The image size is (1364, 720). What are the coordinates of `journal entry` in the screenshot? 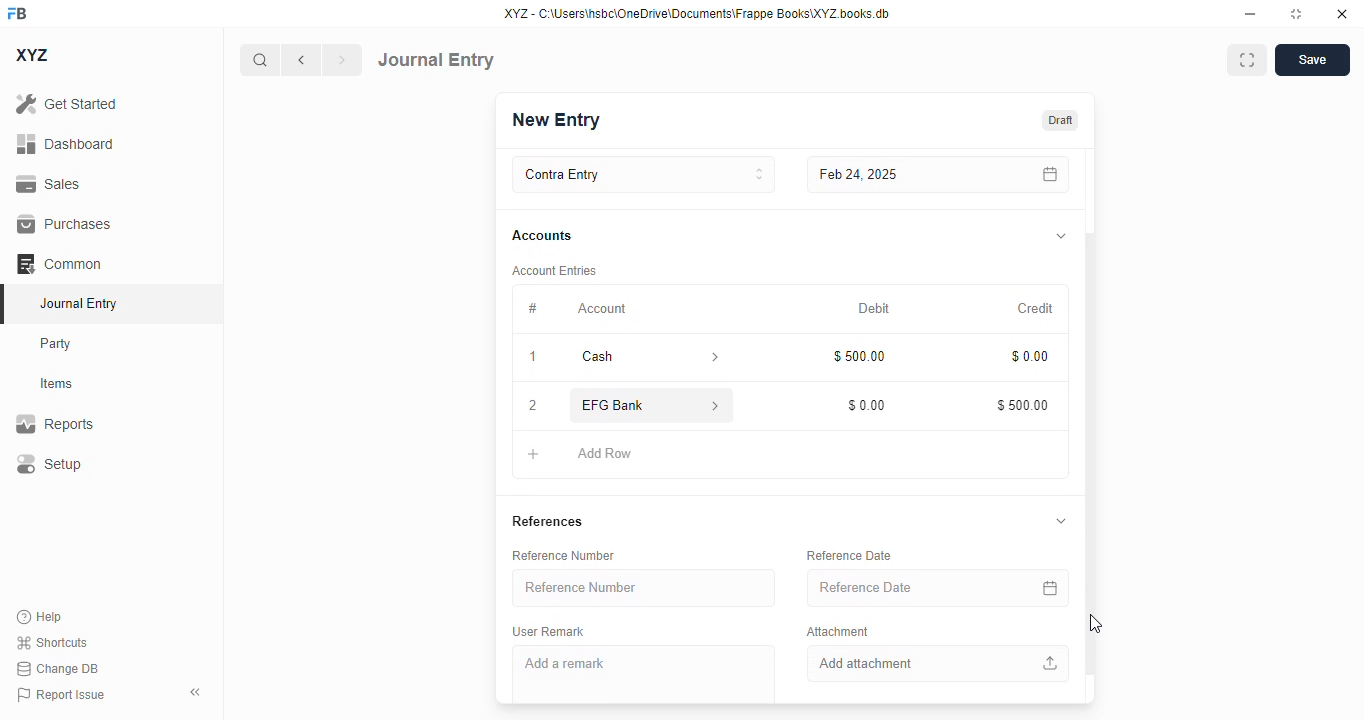 It's located at (436, 60).